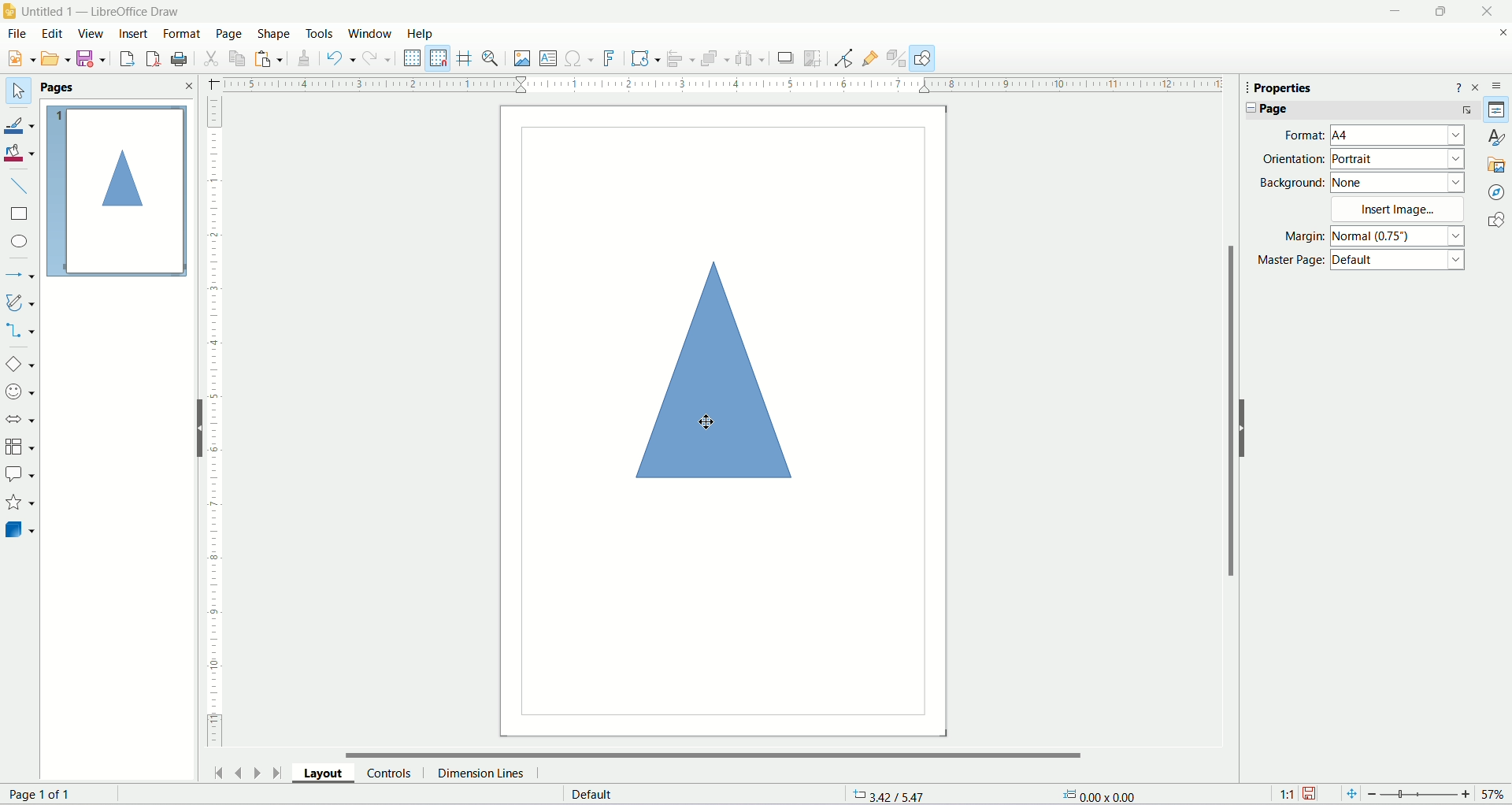 The image size is (1512, 805). What do you see at coordinates (306, 57) in the screenshot?
I see `Clone Formatting` at bounding box center [306, 57].